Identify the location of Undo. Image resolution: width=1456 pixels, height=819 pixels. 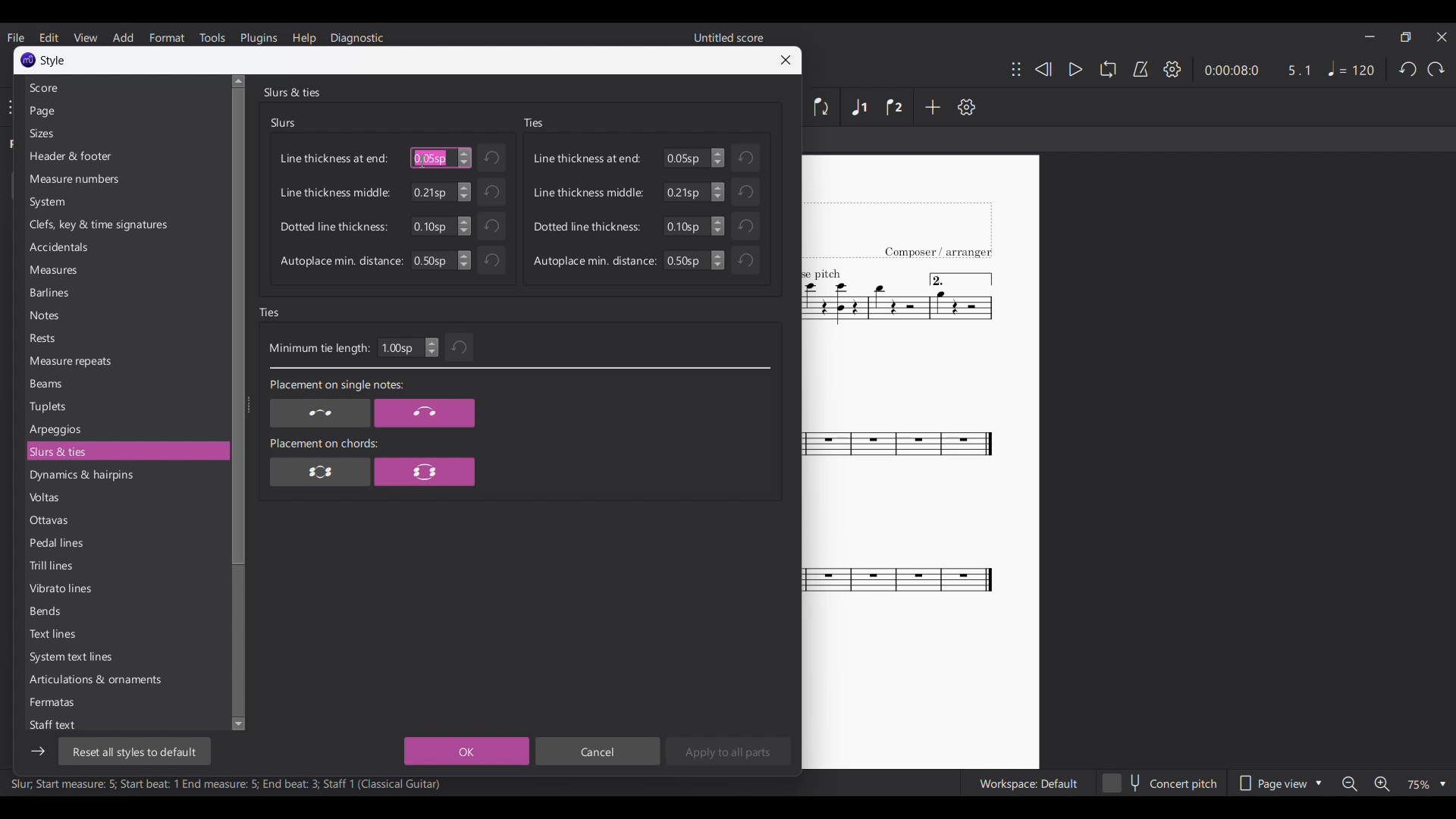
(460, 347).